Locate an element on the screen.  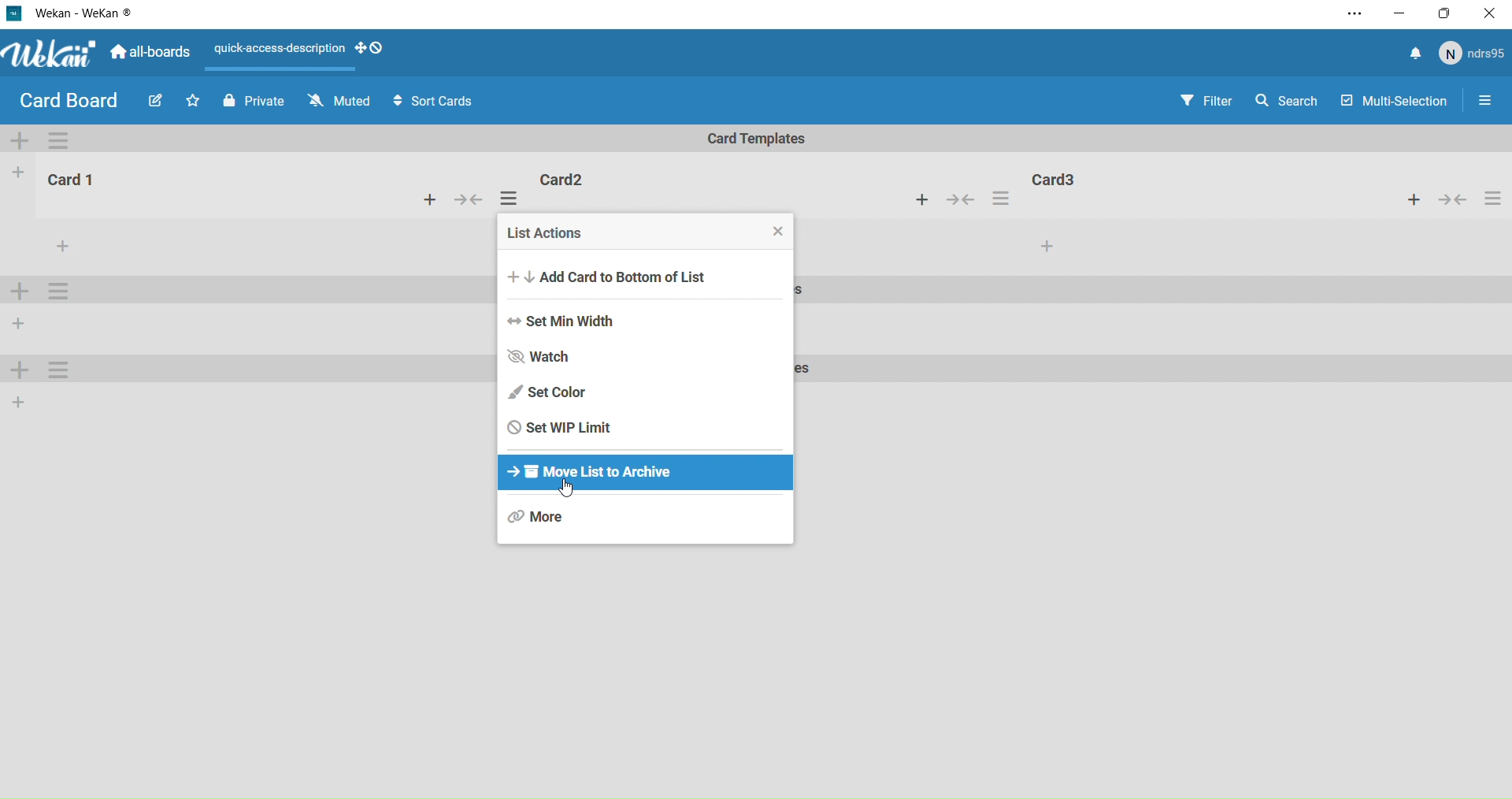
add is located at coordinates (24, 141).